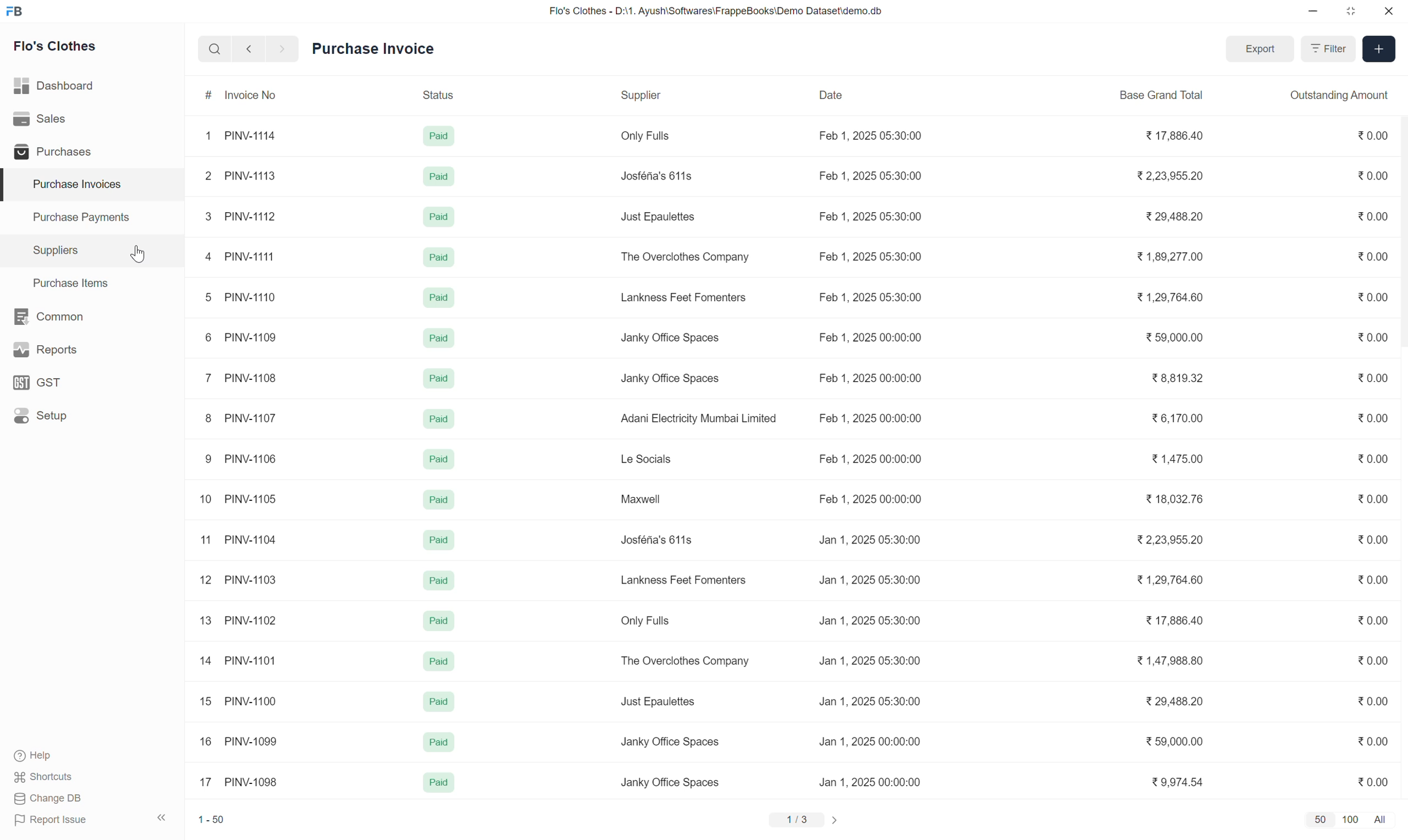  I want to click on 0.00, so click(1372, 460).